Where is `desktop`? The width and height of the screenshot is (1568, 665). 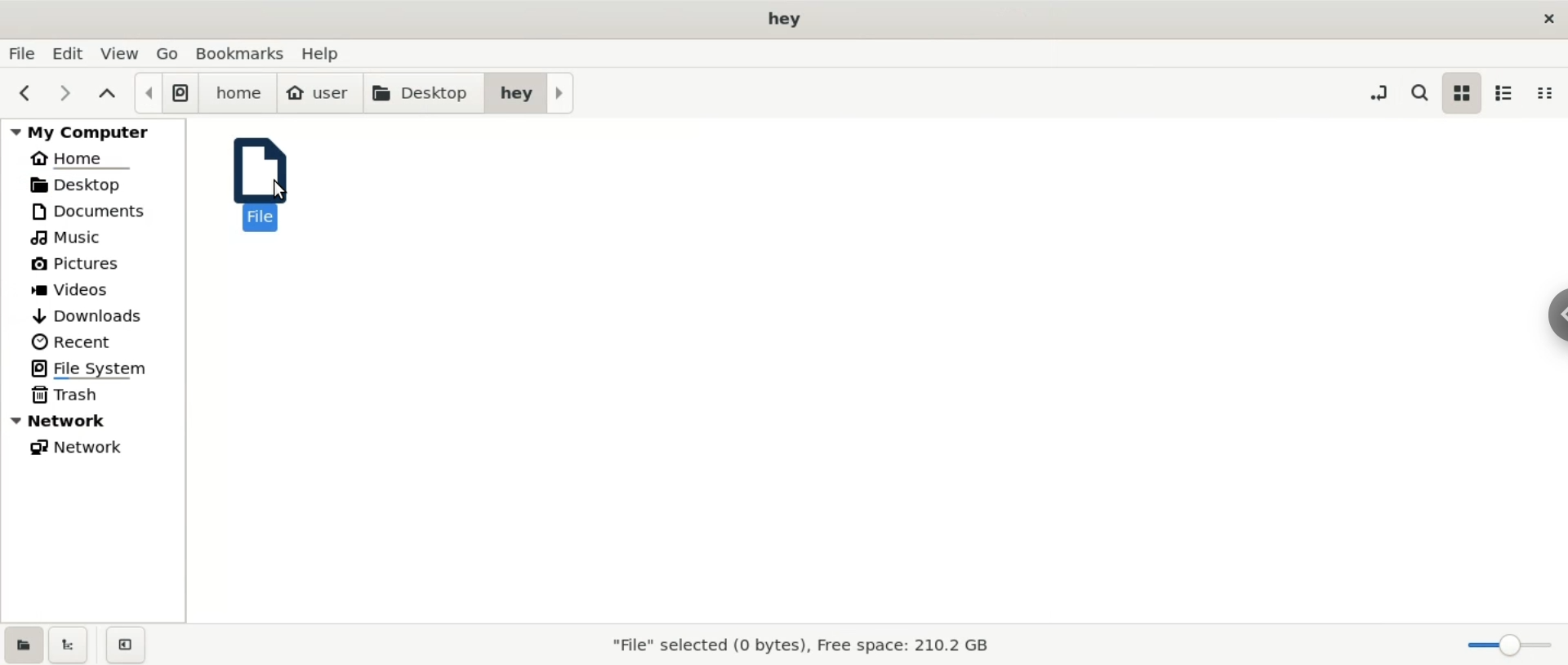
desktop is located at coordinates (94, 184).